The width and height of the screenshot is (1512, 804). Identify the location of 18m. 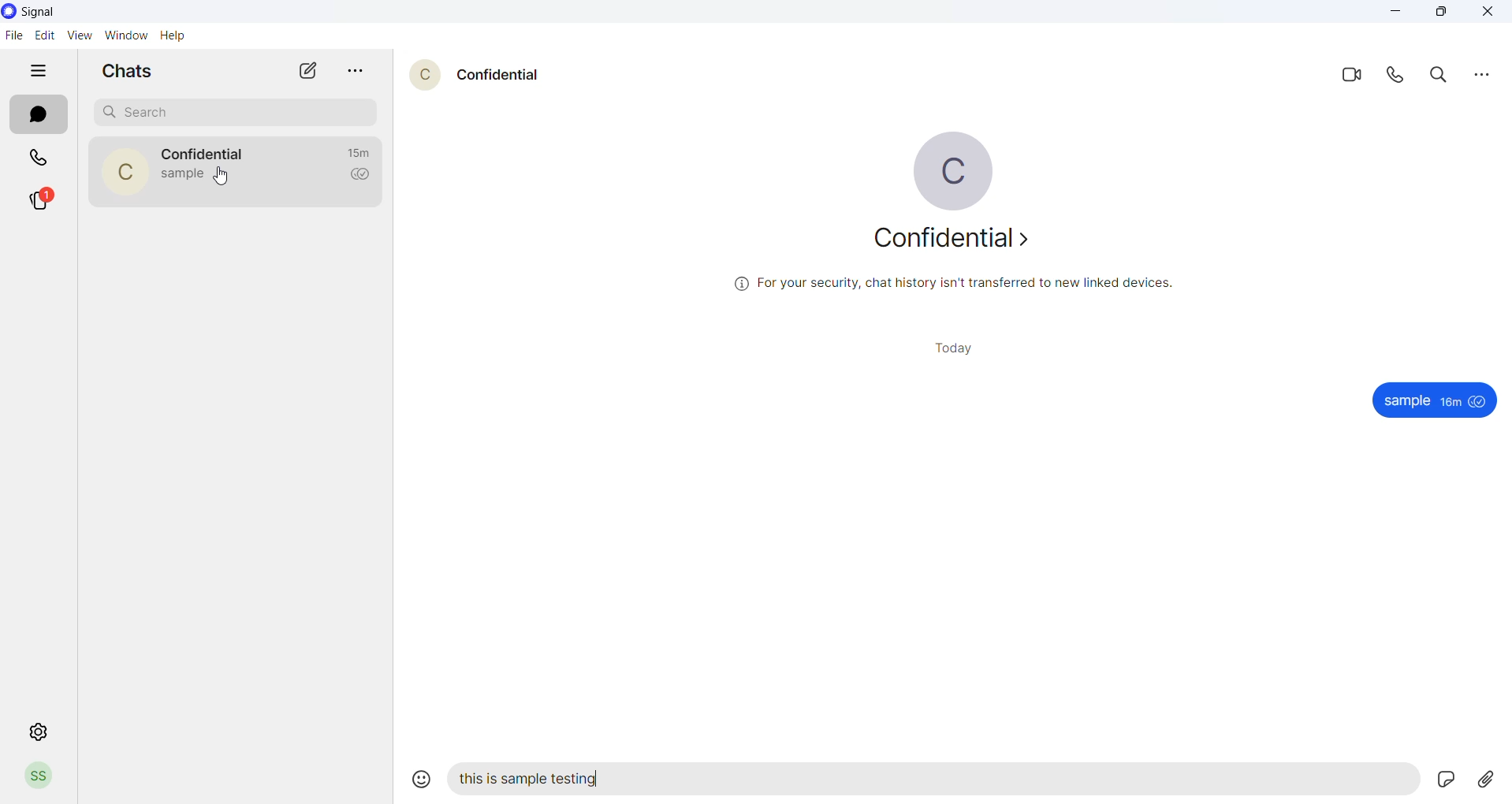
(1449, 401).